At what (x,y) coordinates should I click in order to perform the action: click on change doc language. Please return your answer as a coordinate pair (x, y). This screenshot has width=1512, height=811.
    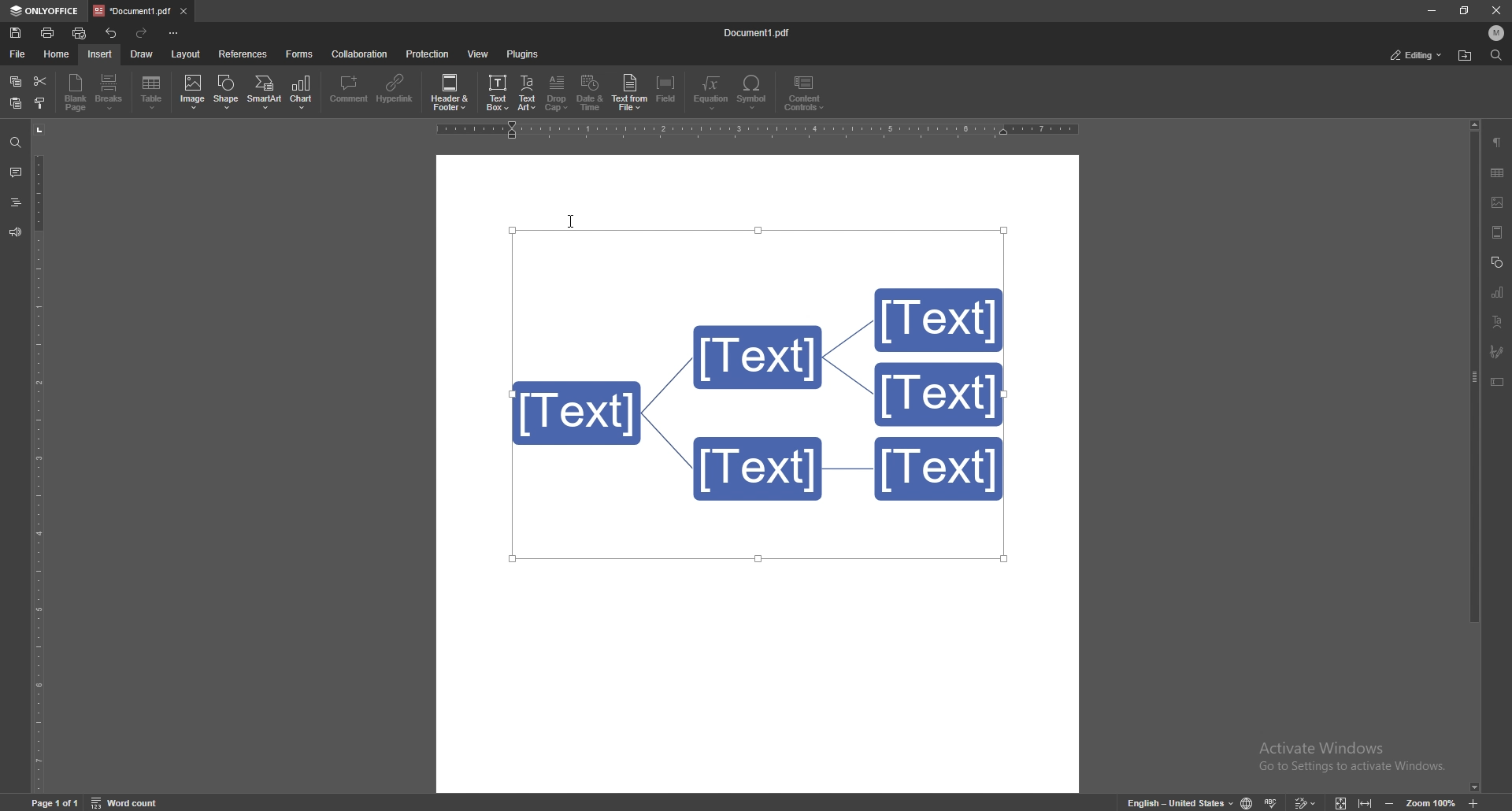
    Looking at the image, I should click on (1247, 802).